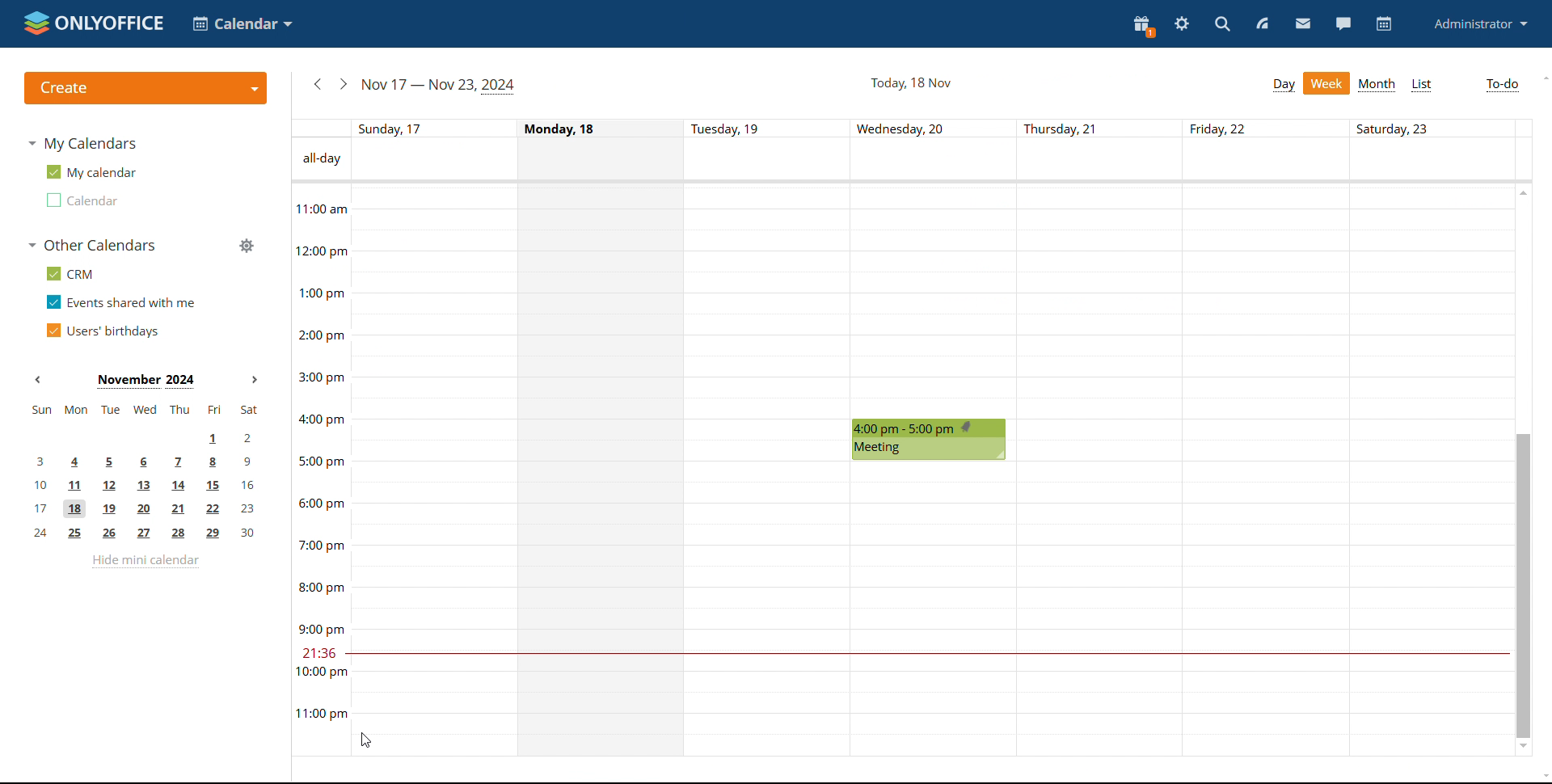  Describe the element at coordinates (933, 610) in the screenshot. I see `wednesday` at that location.